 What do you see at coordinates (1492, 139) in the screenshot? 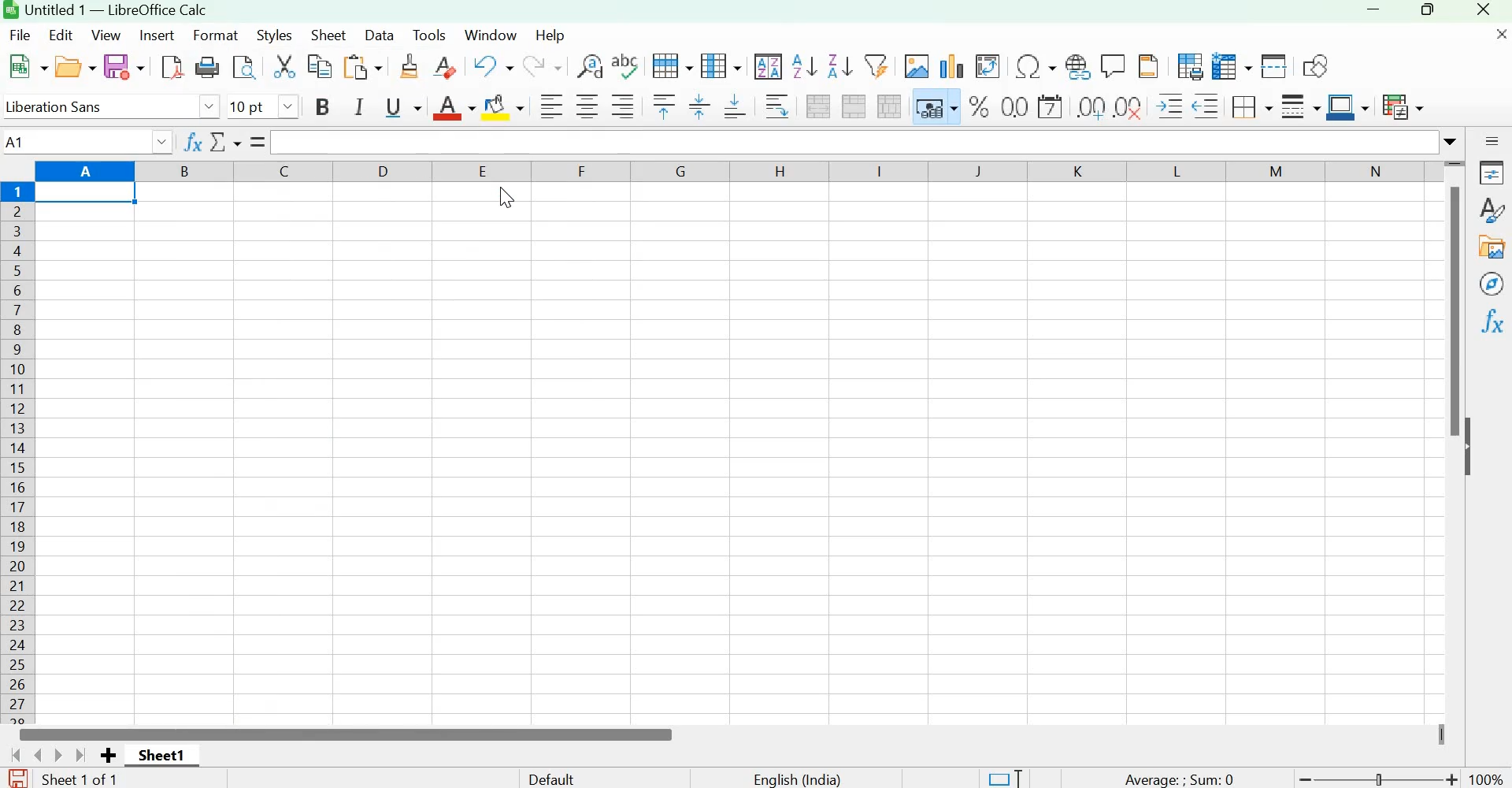
I see `Sidebar settings` at bounding box center [1492, 139].